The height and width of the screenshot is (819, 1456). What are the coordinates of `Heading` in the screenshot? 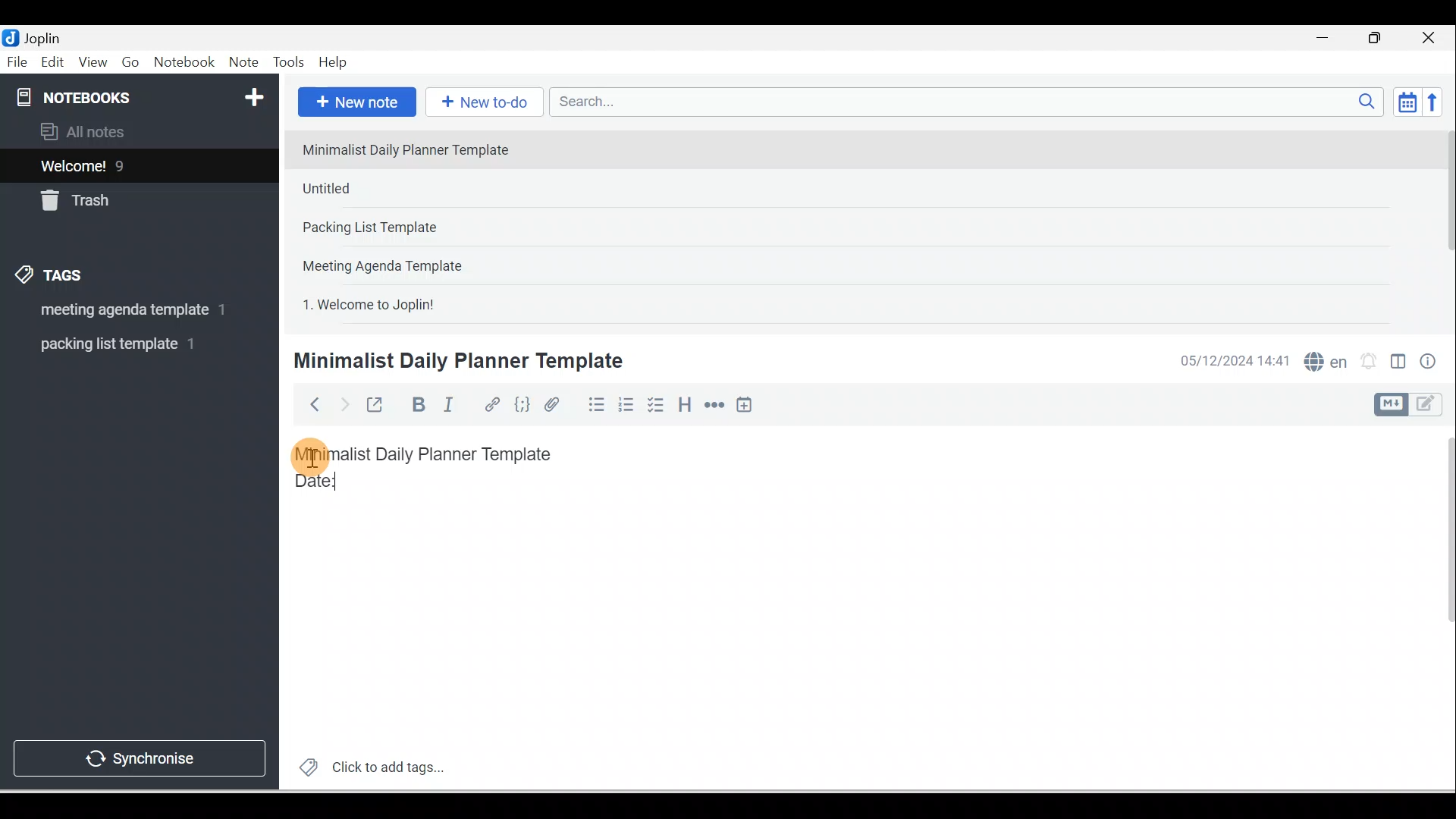 It's located at (684, 403).